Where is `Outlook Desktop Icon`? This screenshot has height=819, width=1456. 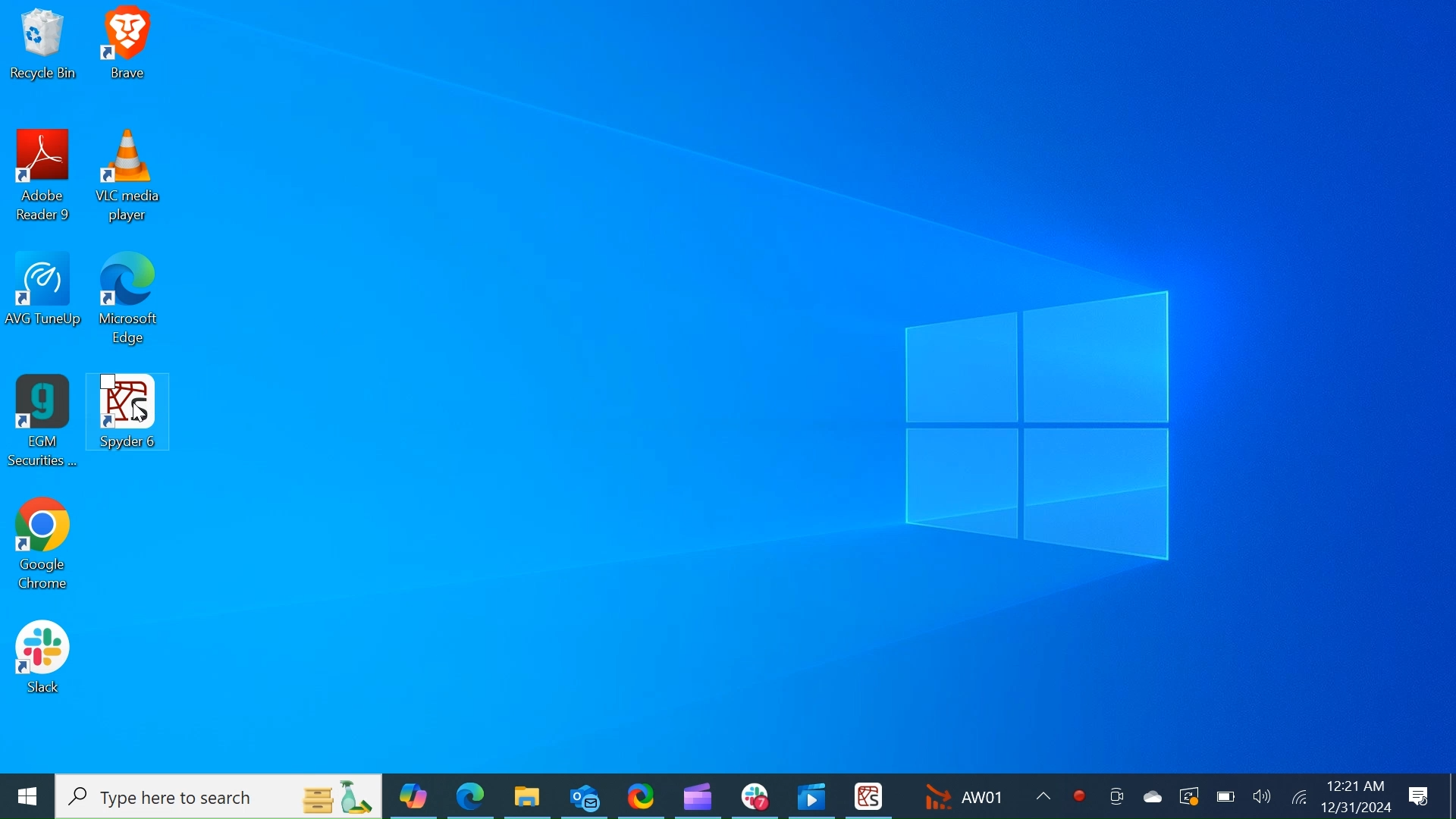 Outlook Desktop Icon is located at coordinates (585, 795).